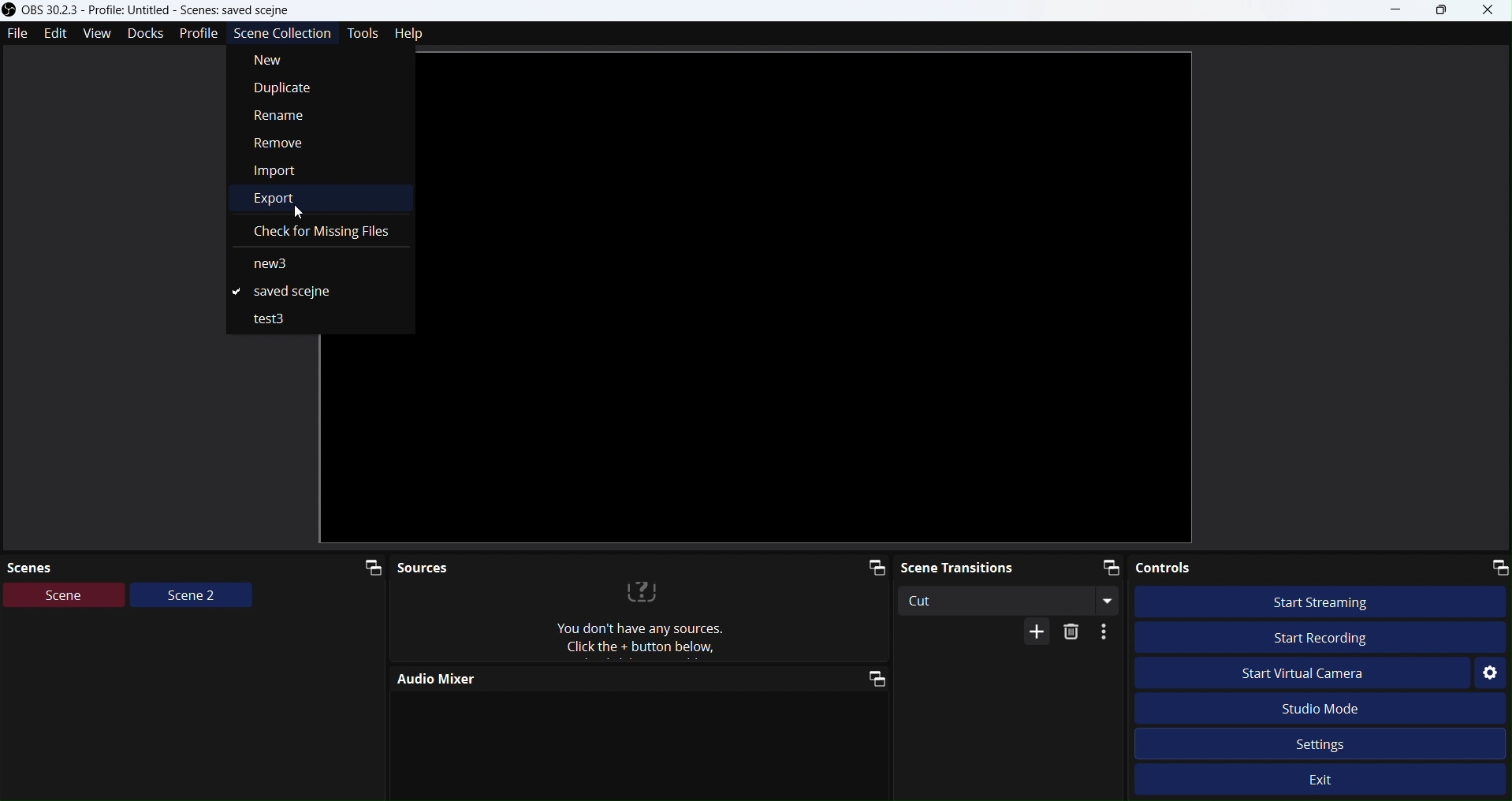 This screenshot has width=1512, height=801. I want to click on Edit, so click(59, 32).